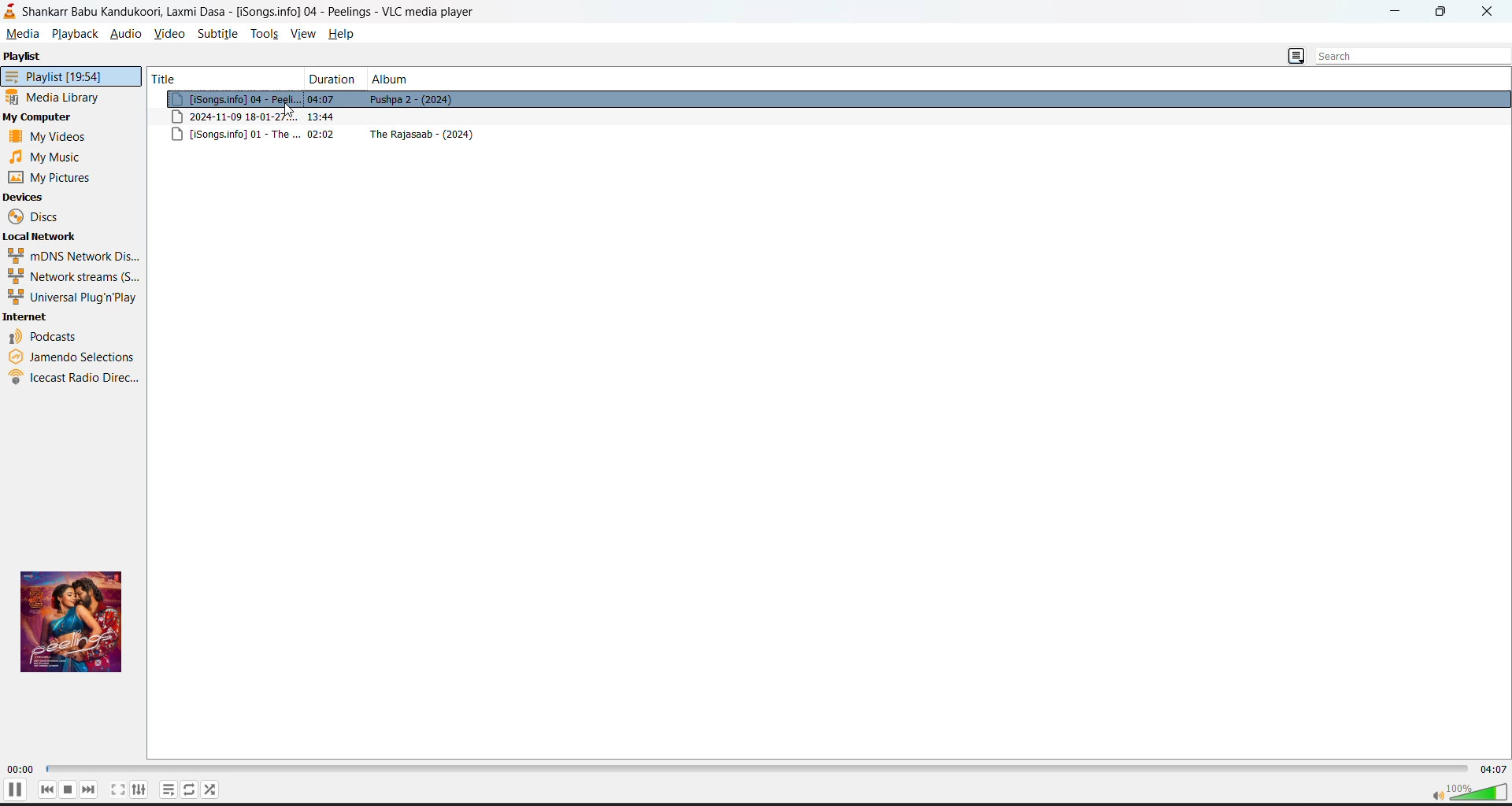 Image resolution: width=1512 pixels, height=806 pixels. I want to click on next, so click(89, 790).